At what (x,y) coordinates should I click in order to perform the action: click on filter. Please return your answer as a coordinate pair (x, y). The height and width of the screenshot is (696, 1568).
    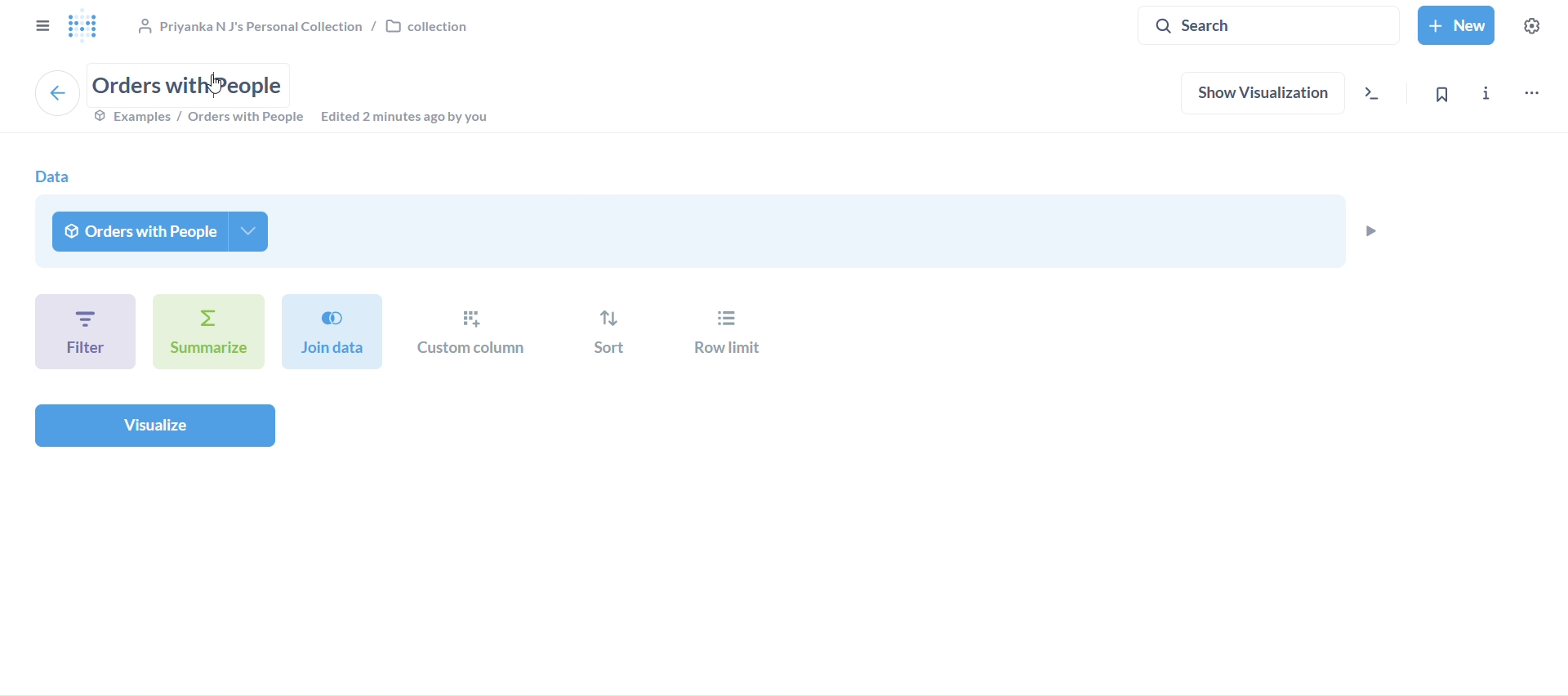
    Looking at the image, I should click on (84, 330).